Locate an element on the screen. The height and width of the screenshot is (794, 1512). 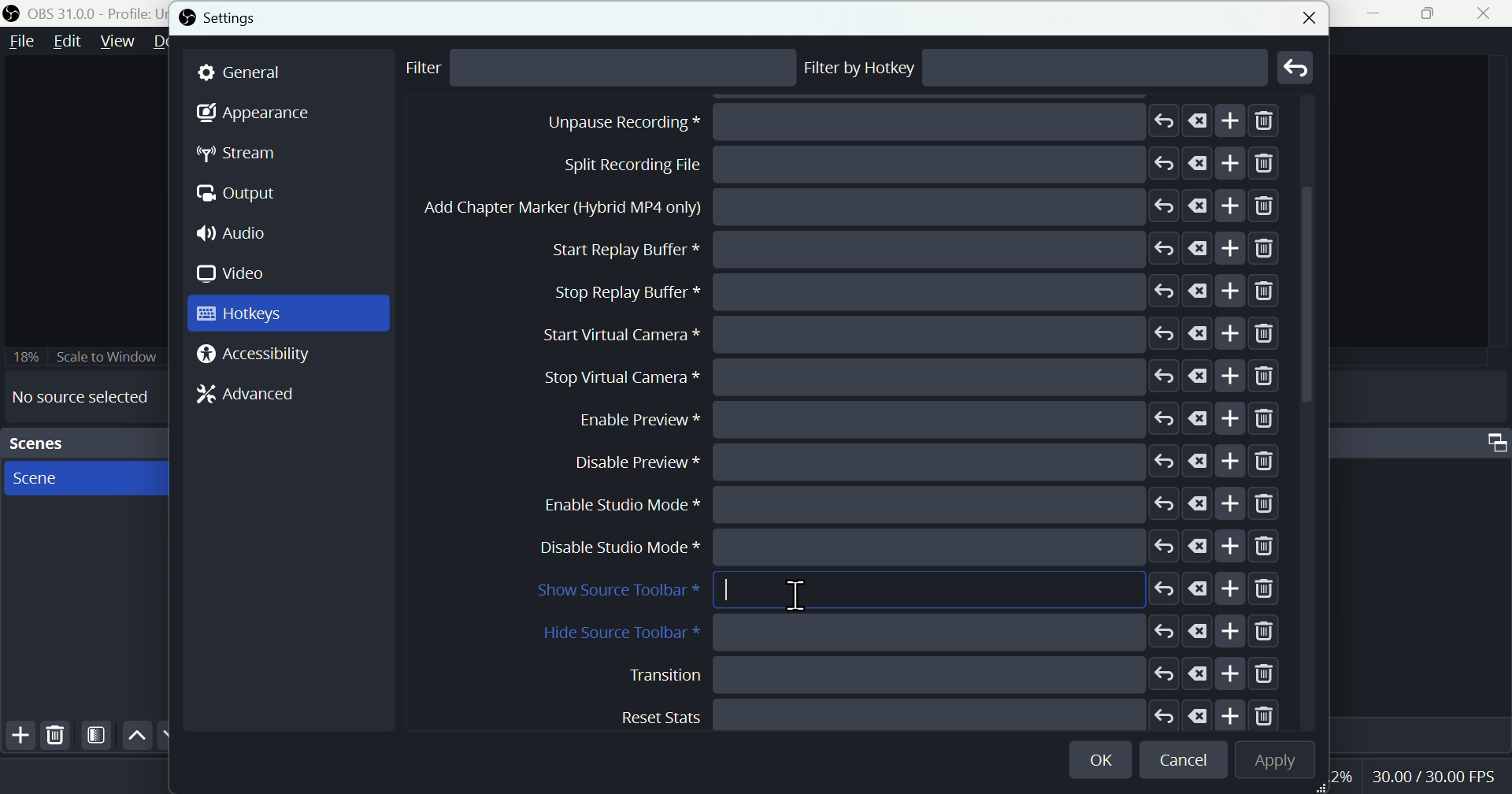
Height source toolbar is located at coordinates (911, 633).